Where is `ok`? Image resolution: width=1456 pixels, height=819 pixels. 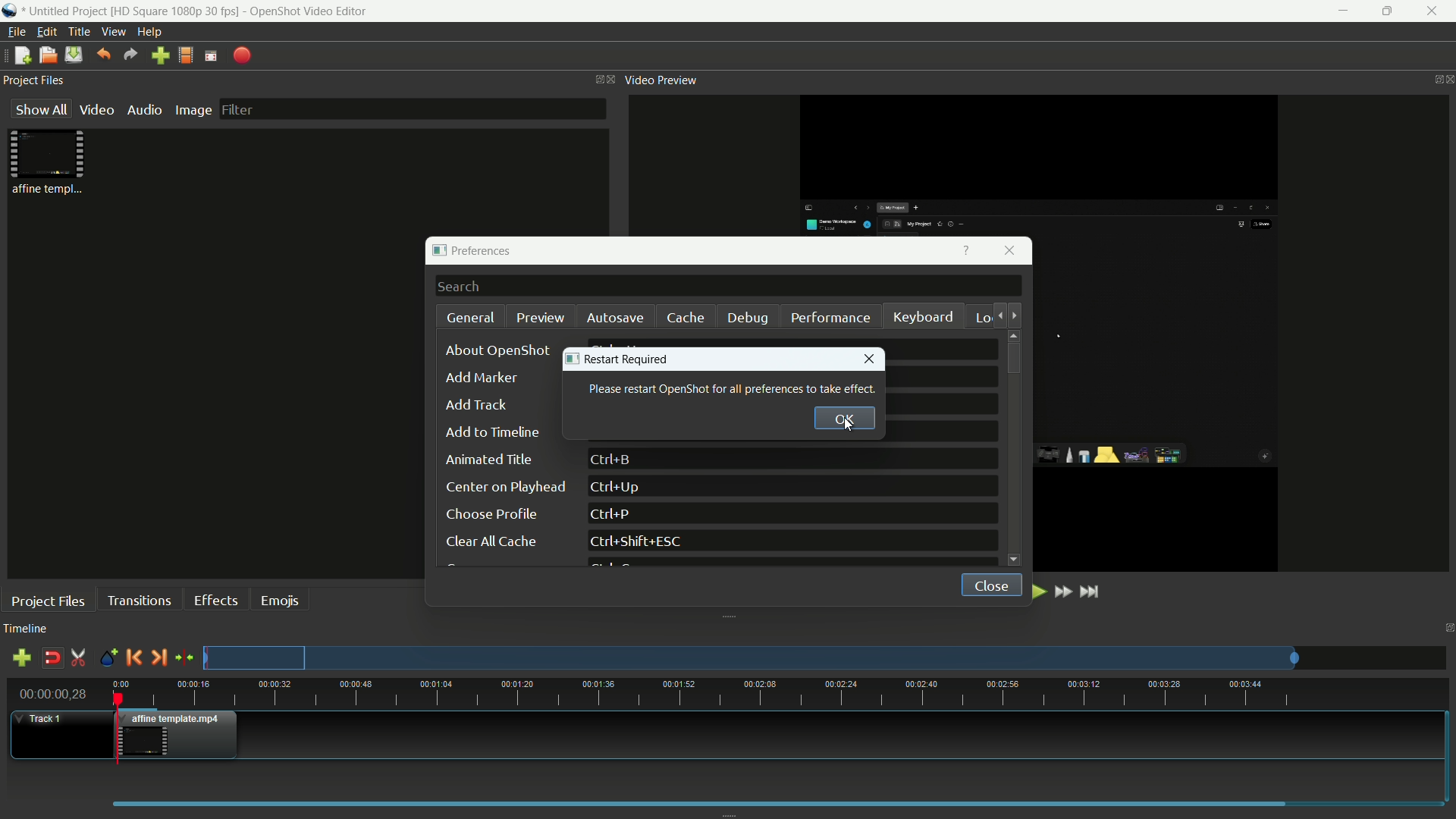
ok is located at coordinates (843, 416).